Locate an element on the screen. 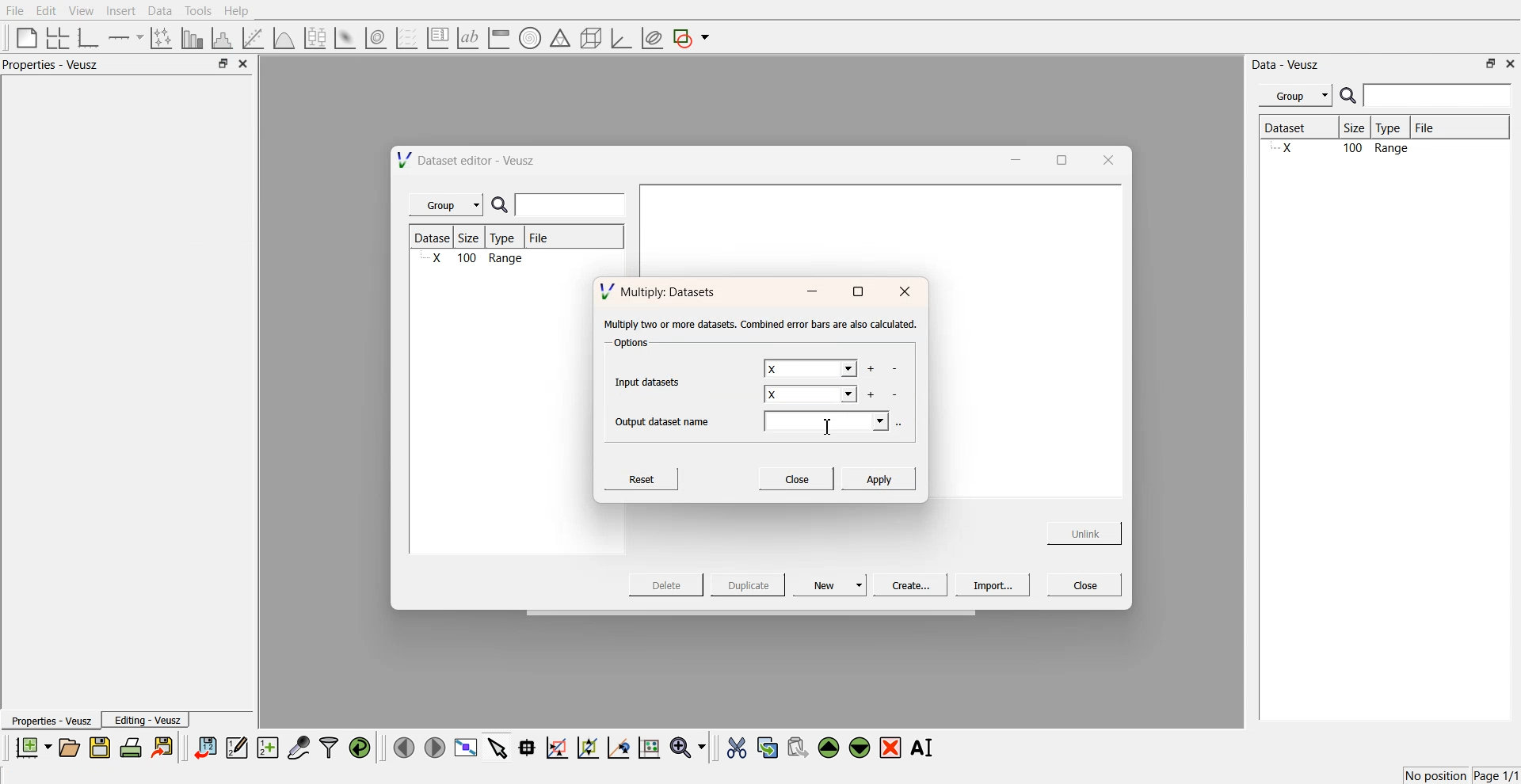  Multiply: Datasets is located at coordinates (660, 290).